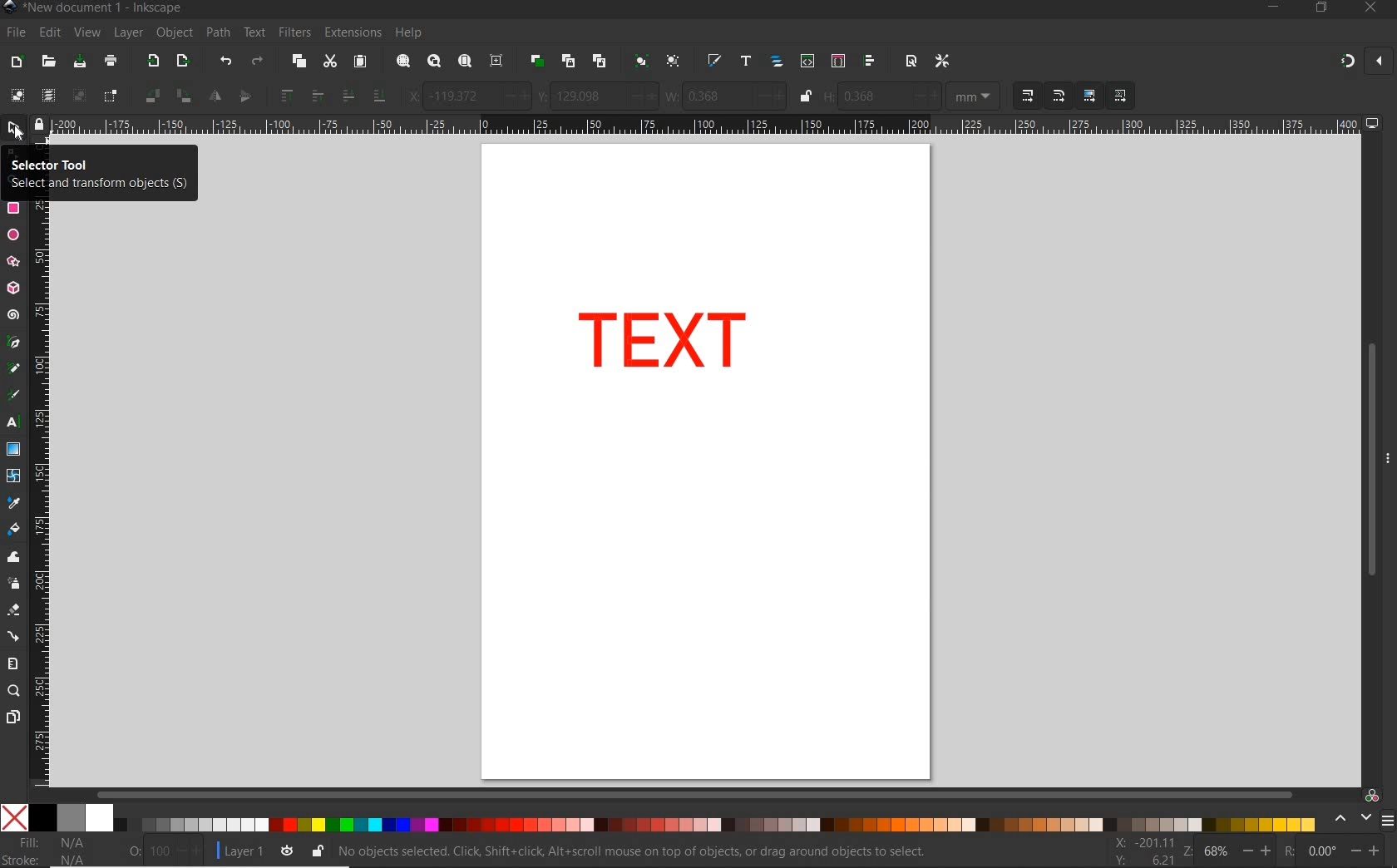 Image resolution: width=1397 pixels, height=868 pixels. What do you see at coordinates (600, 62) in the screenshot?
I see `UNLINK CLONE` at bounding box center [600, 62].